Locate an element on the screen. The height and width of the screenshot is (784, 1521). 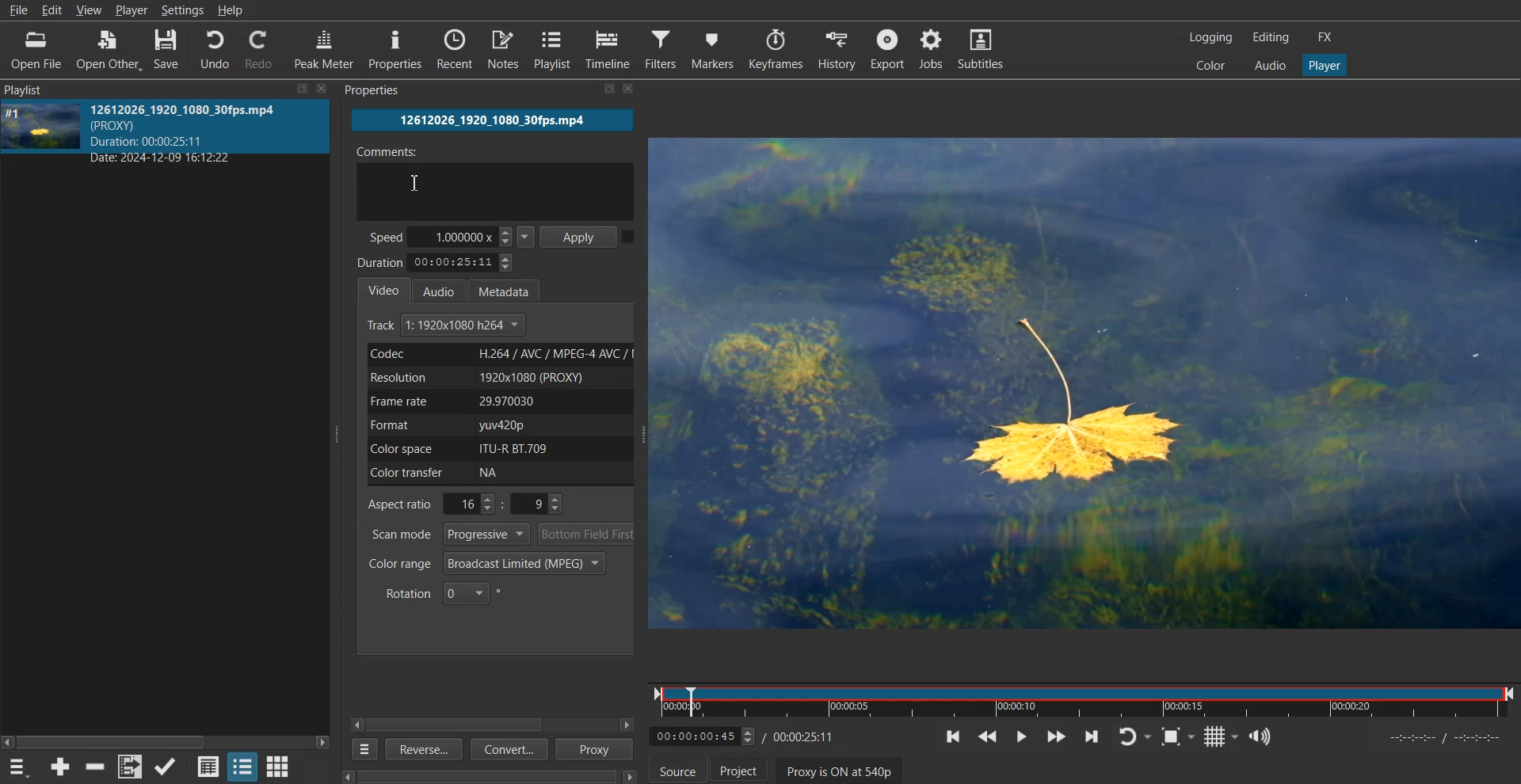
Subtitle is located at coordinates (985, 48).